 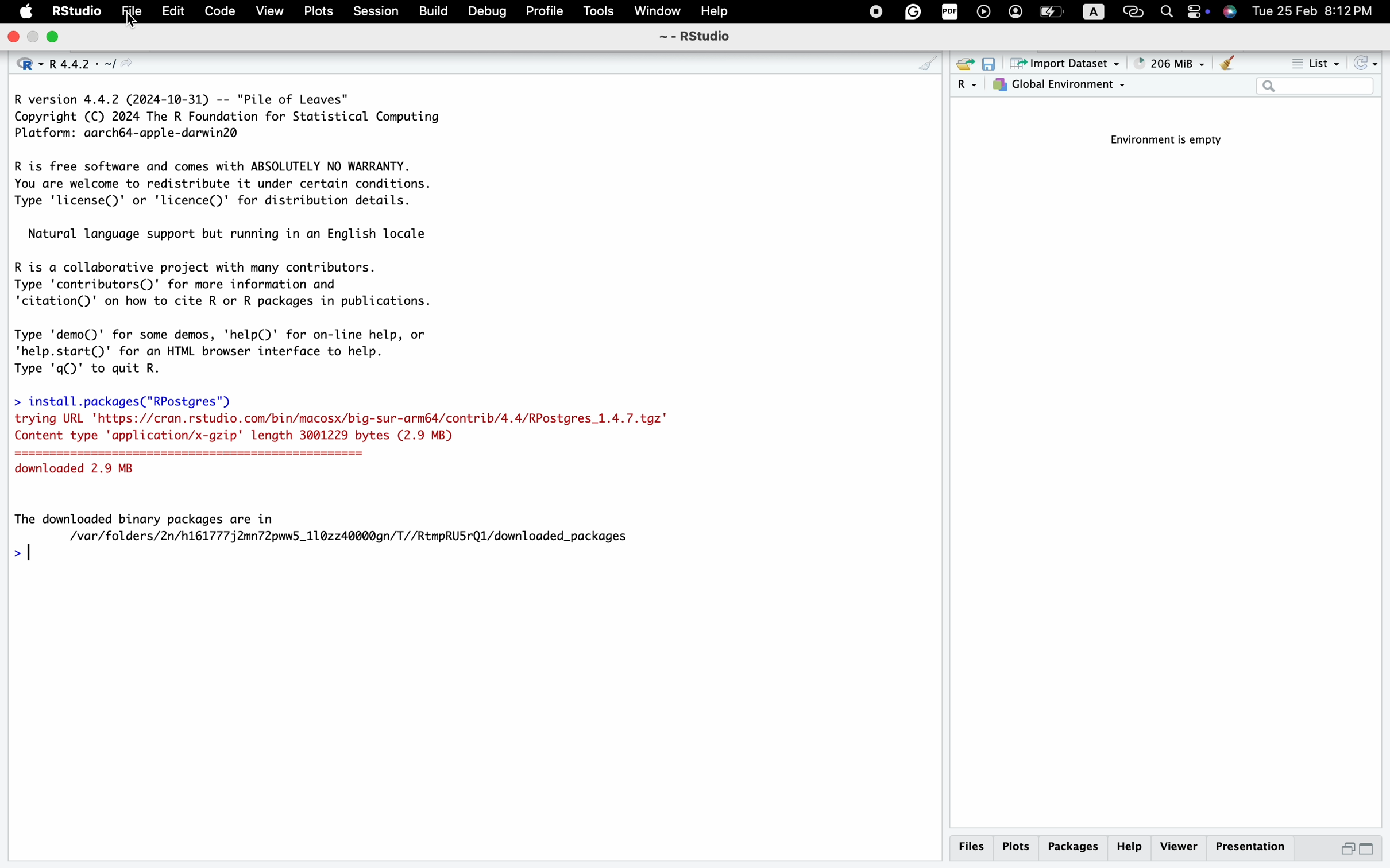 I want to click on help, so click(x=1129, y=848).